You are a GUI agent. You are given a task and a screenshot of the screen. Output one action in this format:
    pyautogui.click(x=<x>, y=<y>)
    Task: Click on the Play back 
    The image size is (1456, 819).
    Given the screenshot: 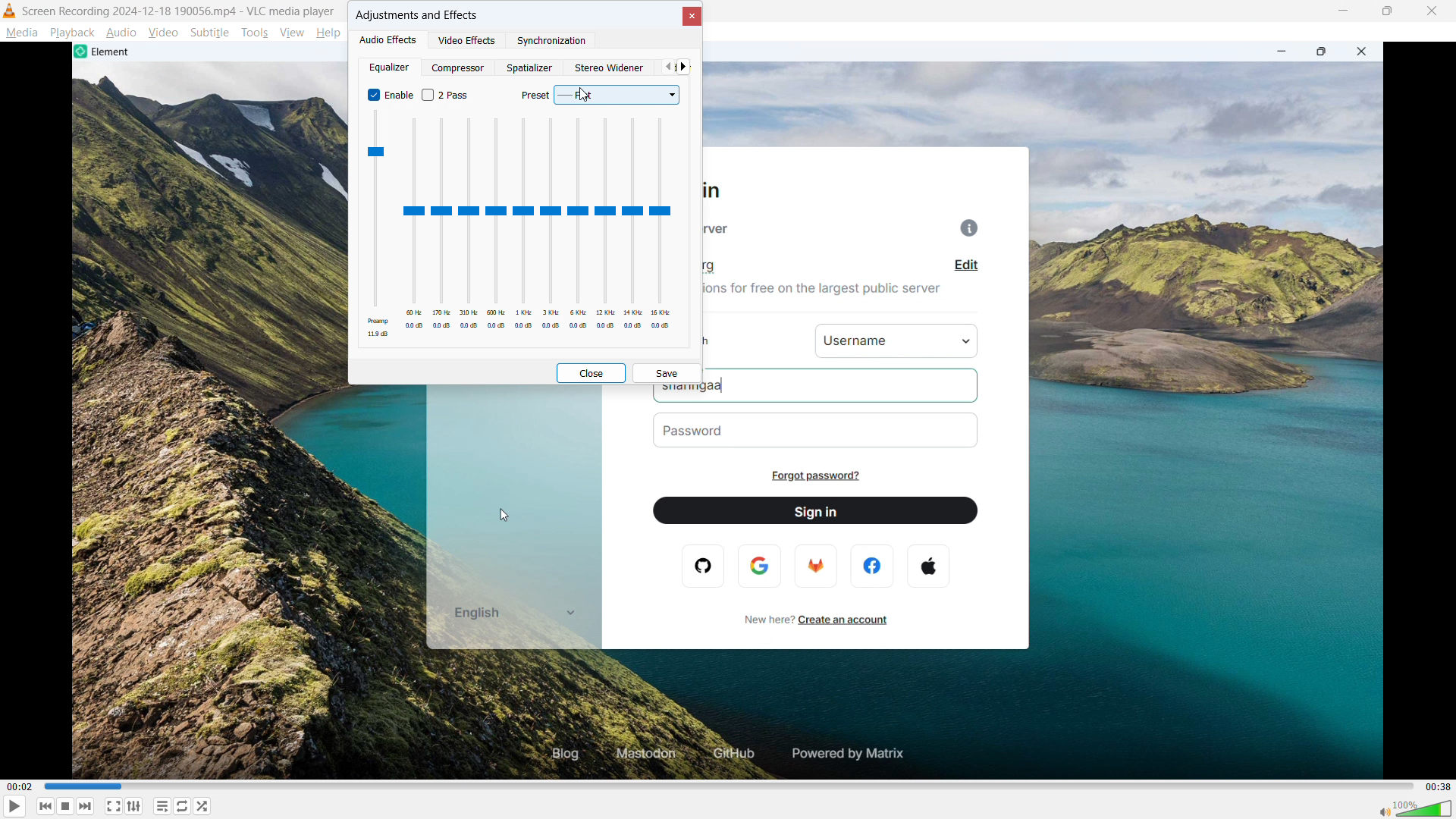 What is the action you would take?
    pyautogui.click(x=72, y=33)
    